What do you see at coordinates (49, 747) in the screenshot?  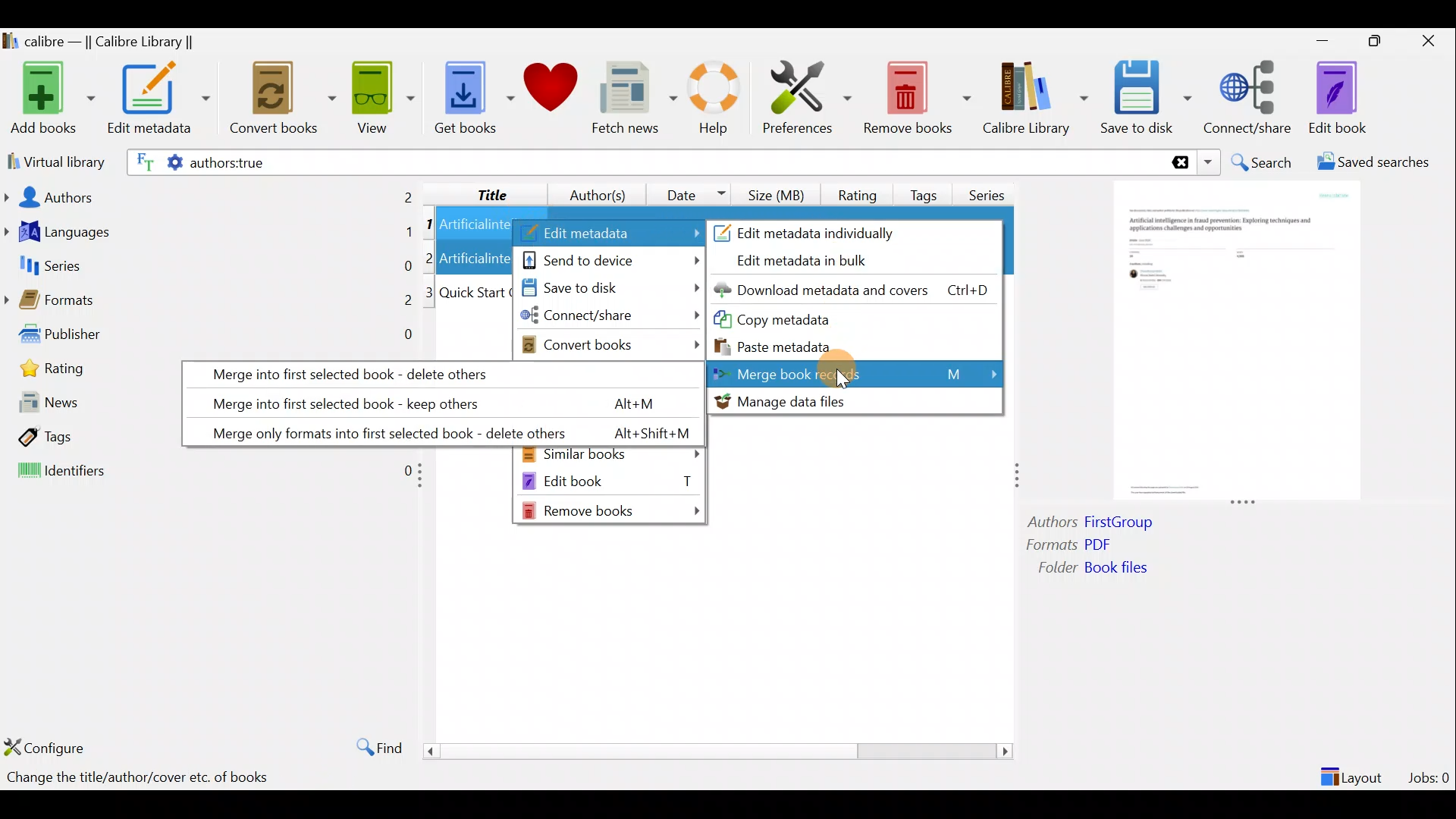 I see `Configure` at bounding box center [49, 747].